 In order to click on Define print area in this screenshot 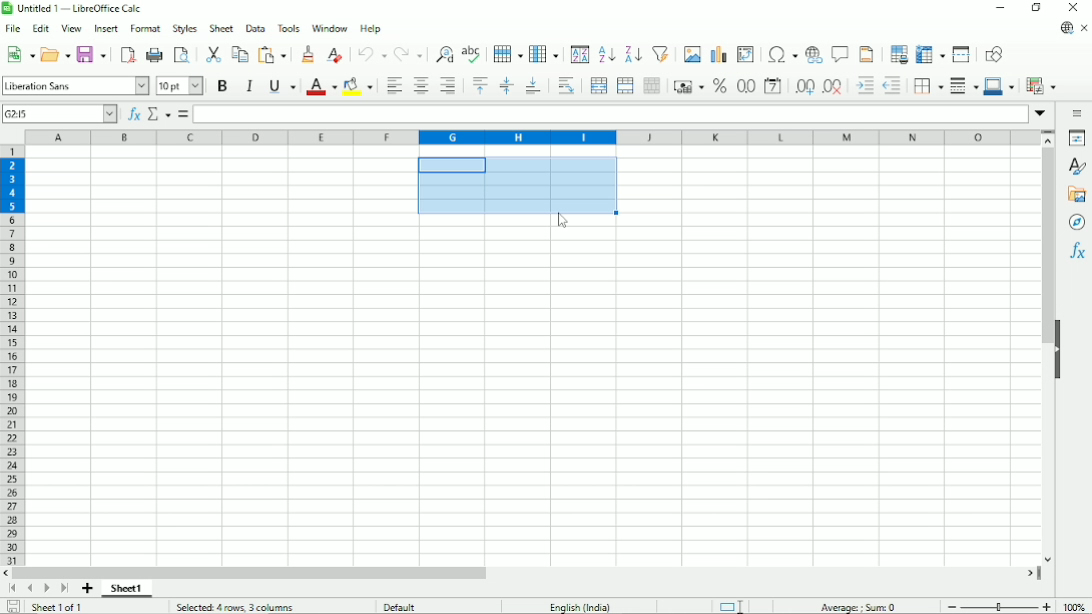, I will do `click(898, 53)`.